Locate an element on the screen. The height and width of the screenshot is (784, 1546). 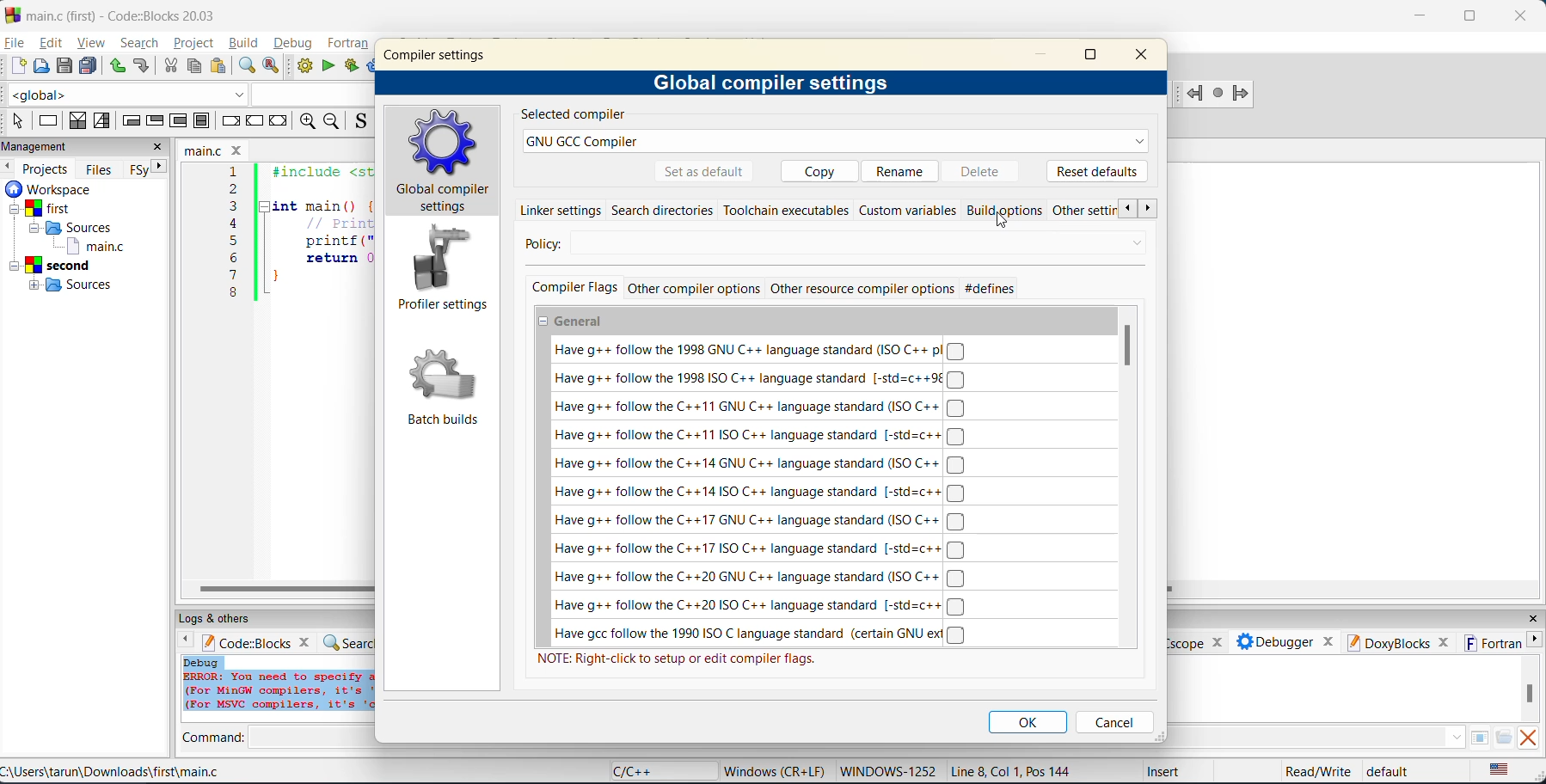
C/C++ is located at coordinates (641, 770).